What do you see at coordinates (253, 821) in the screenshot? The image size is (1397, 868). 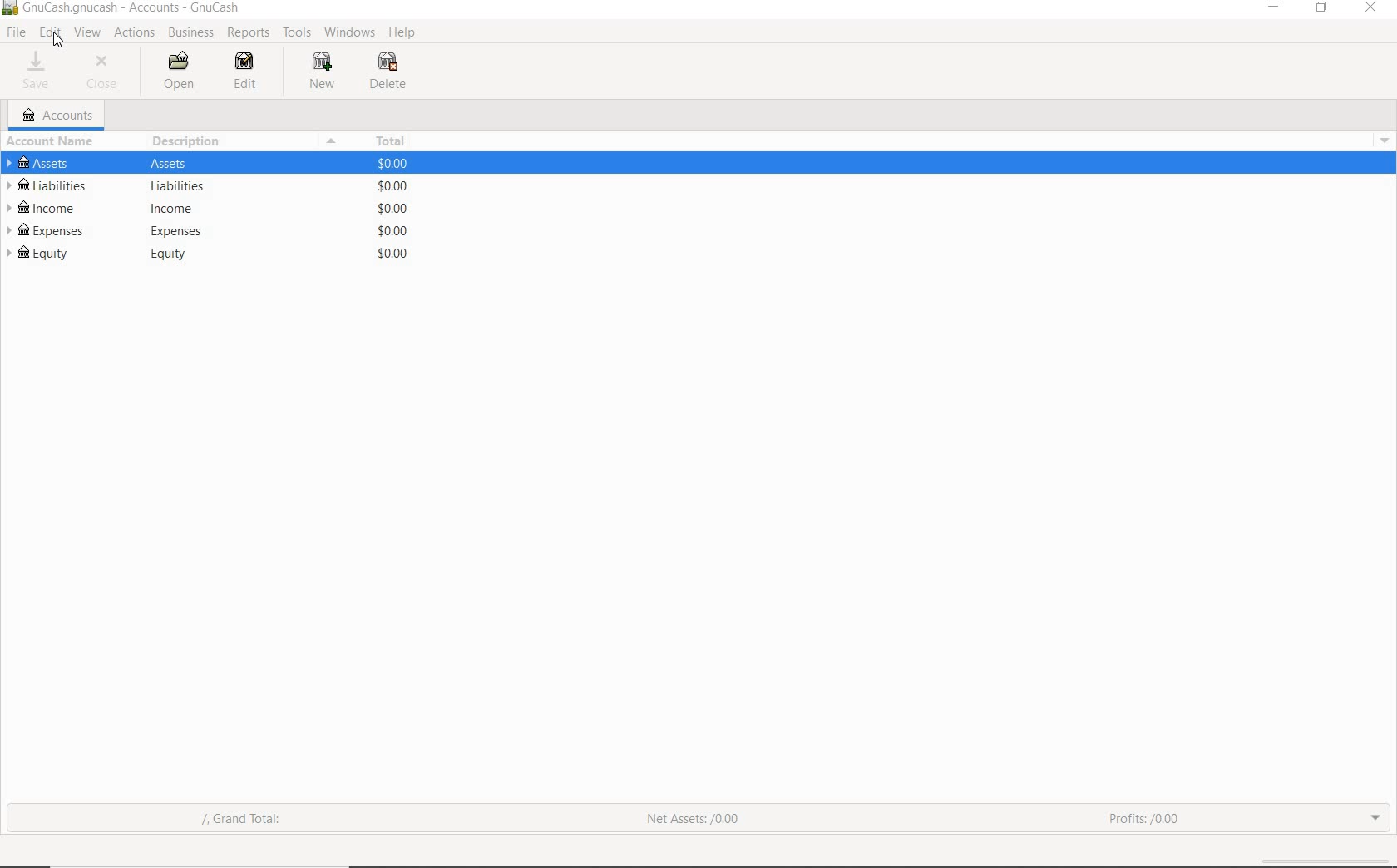 I see `grand total` at bounding box center [253, 821].